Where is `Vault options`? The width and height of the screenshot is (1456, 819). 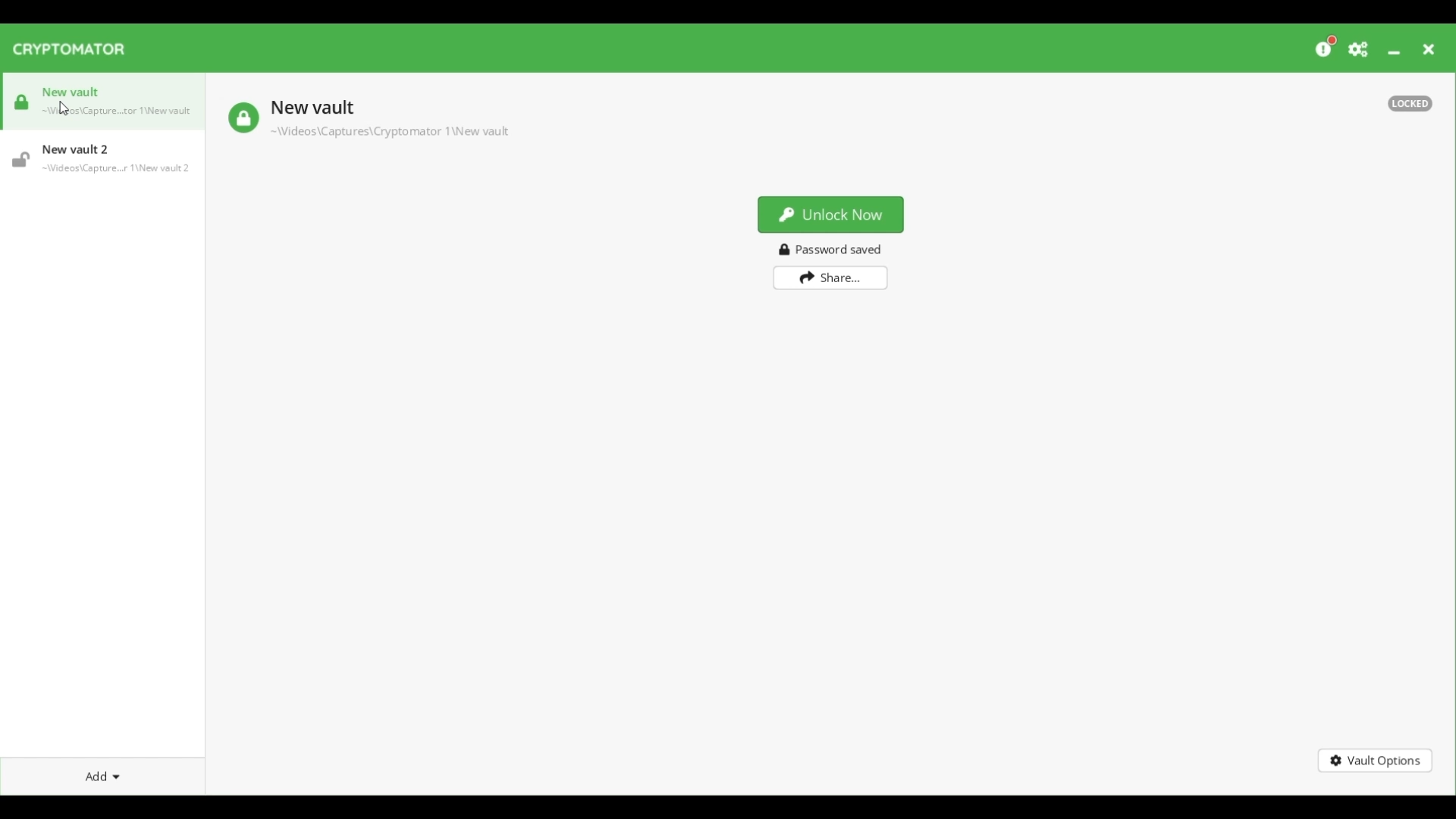 Vault options is located at coordinates (1376, 761).